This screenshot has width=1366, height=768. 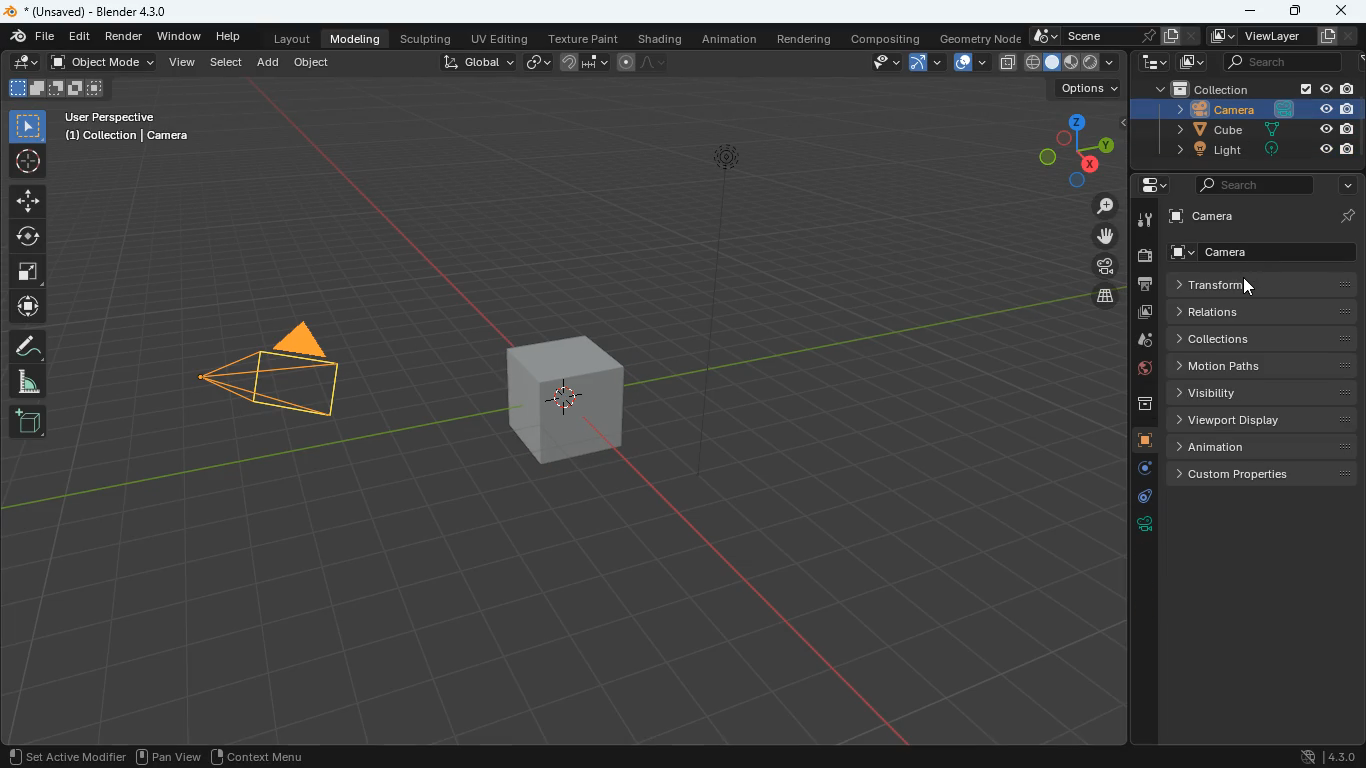 What do you see at coordinates (583, 38) in the screenshot?
I see `texture paint` at bounding box center [583, 38].